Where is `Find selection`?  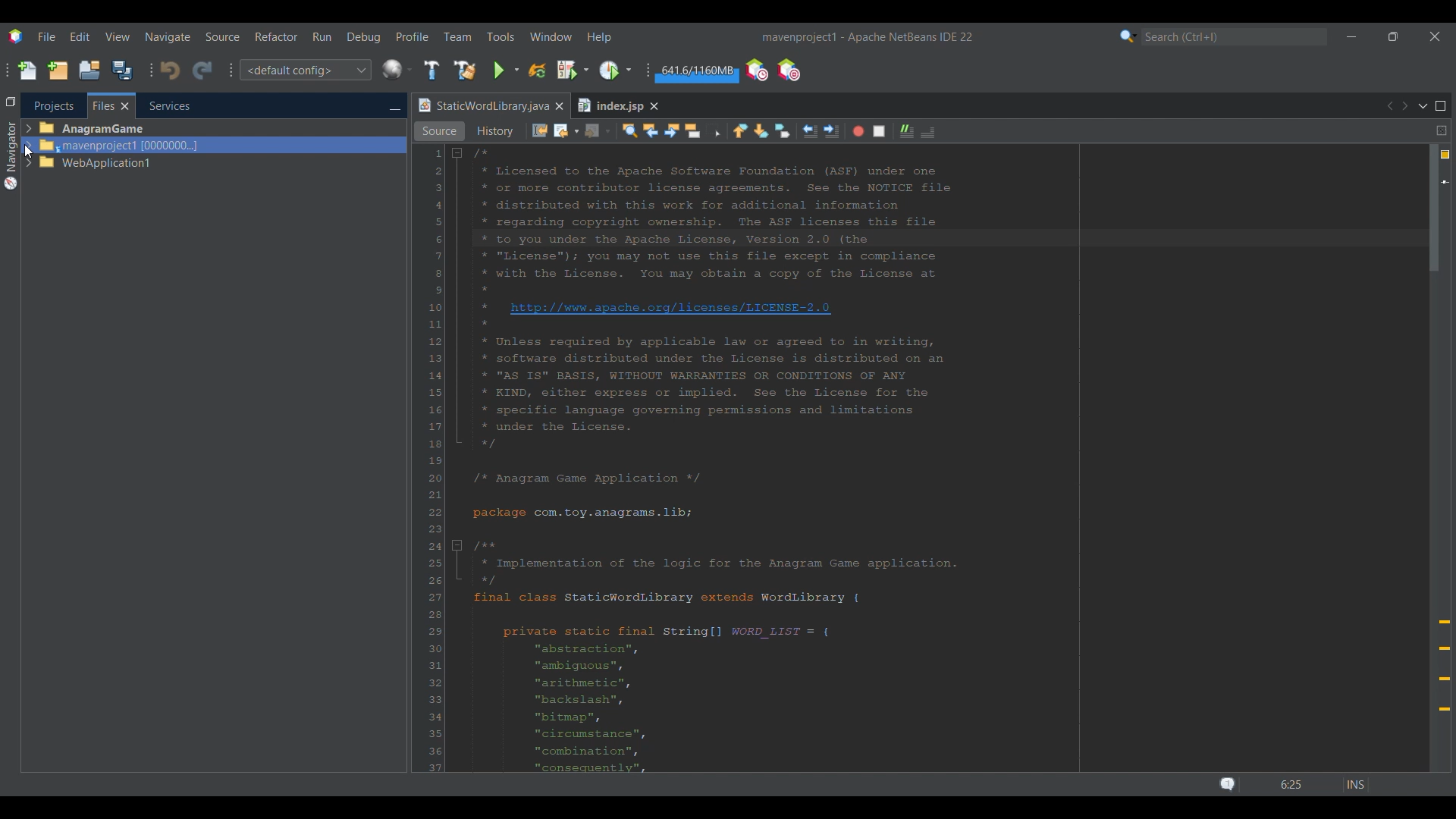 Find selection is located at coordinates (630, 131).